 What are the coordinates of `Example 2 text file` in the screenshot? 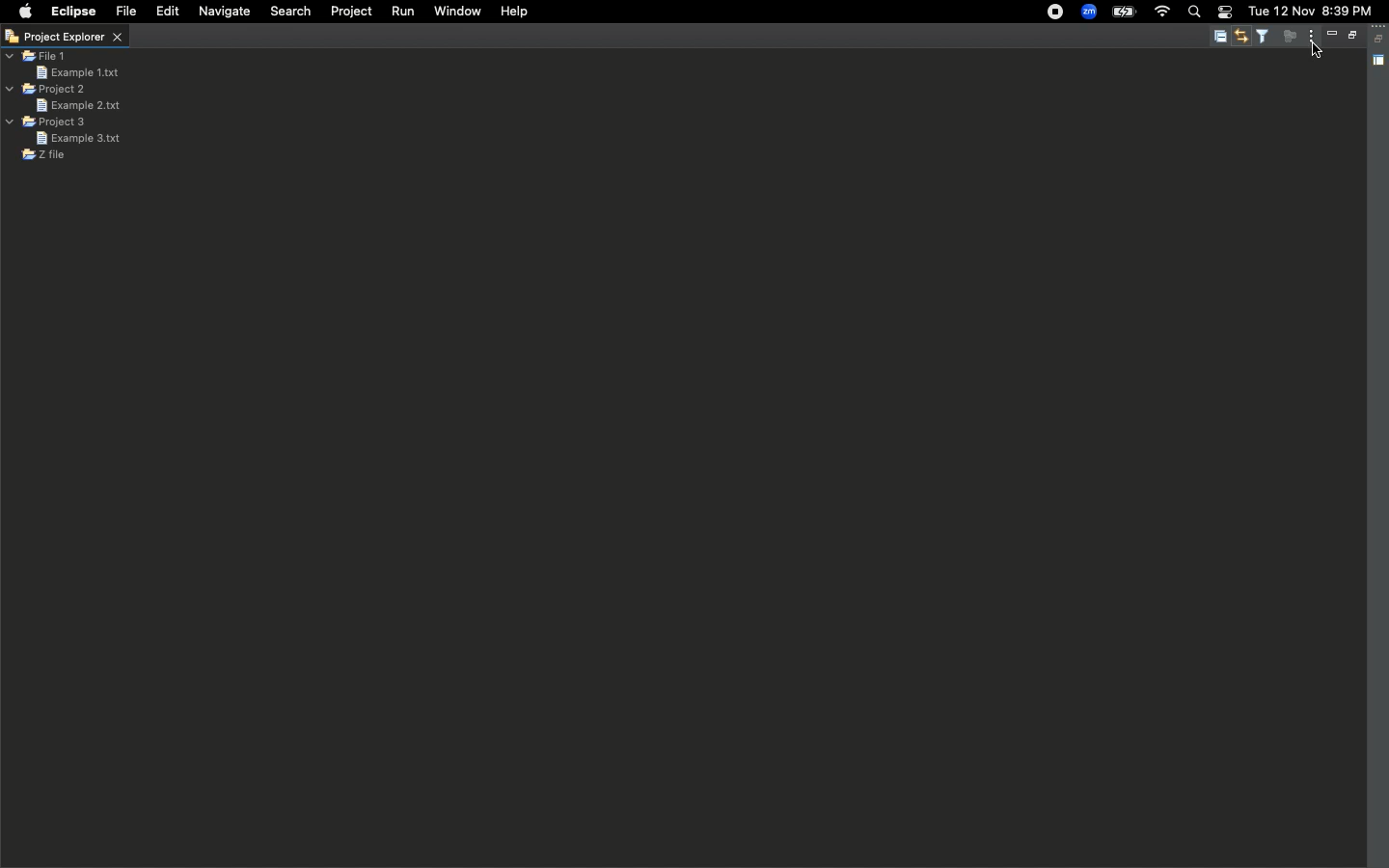 It's located at (77, 105).